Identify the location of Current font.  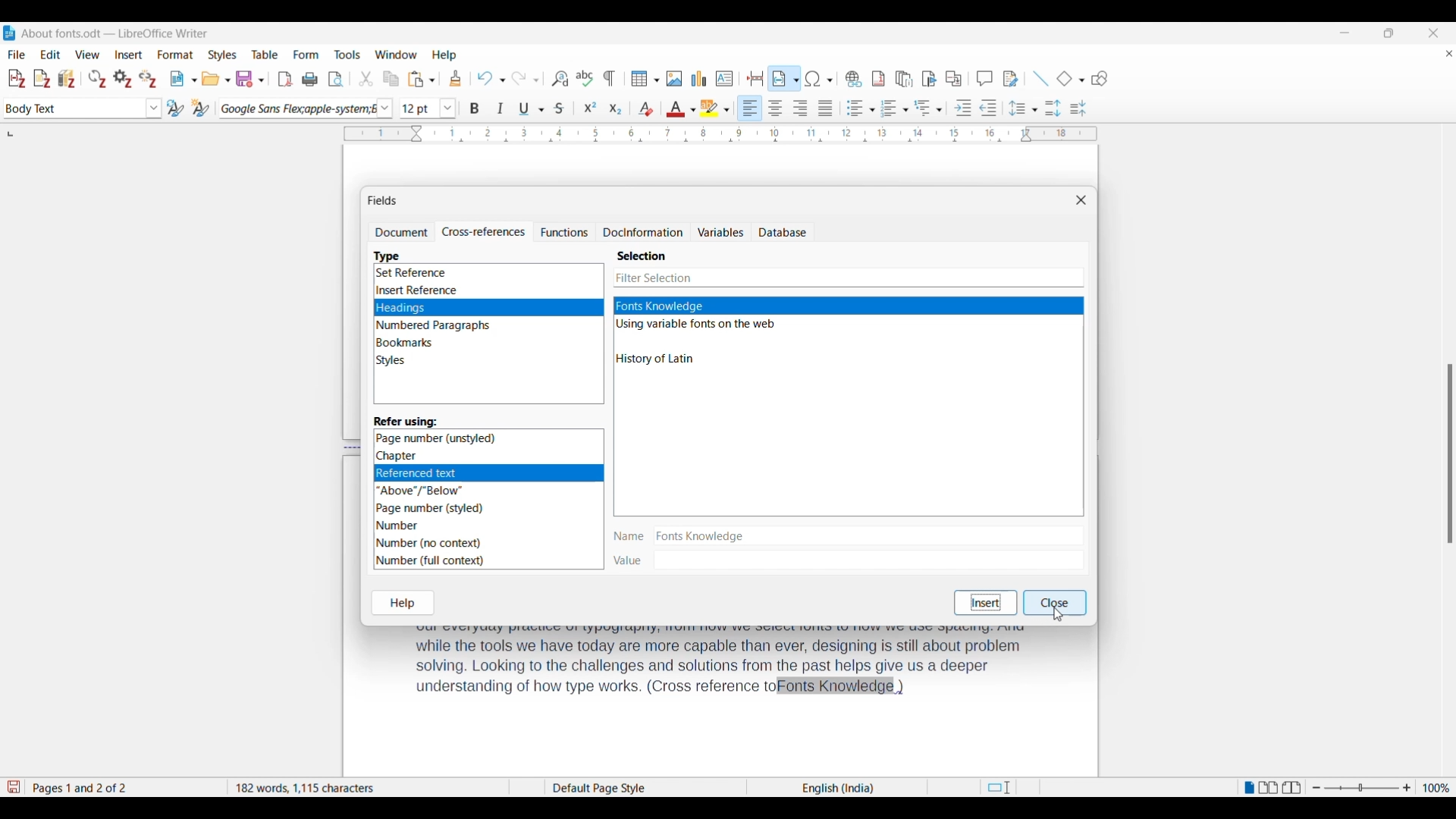
(296, 108).